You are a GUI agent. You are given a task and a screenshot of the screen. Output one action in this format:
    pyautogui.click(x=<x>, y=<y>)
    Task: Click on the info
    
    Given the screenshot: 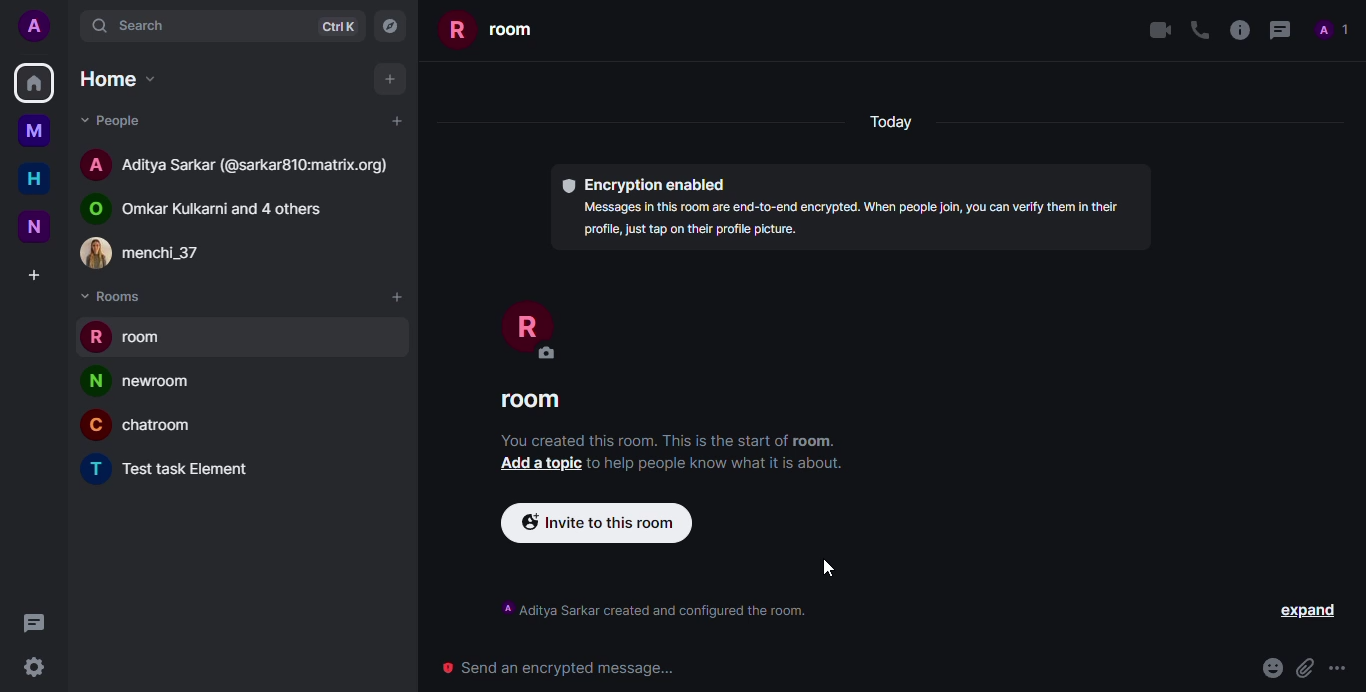 What is the action you would take?
    pyautogui.click(x=652, y=610)
    